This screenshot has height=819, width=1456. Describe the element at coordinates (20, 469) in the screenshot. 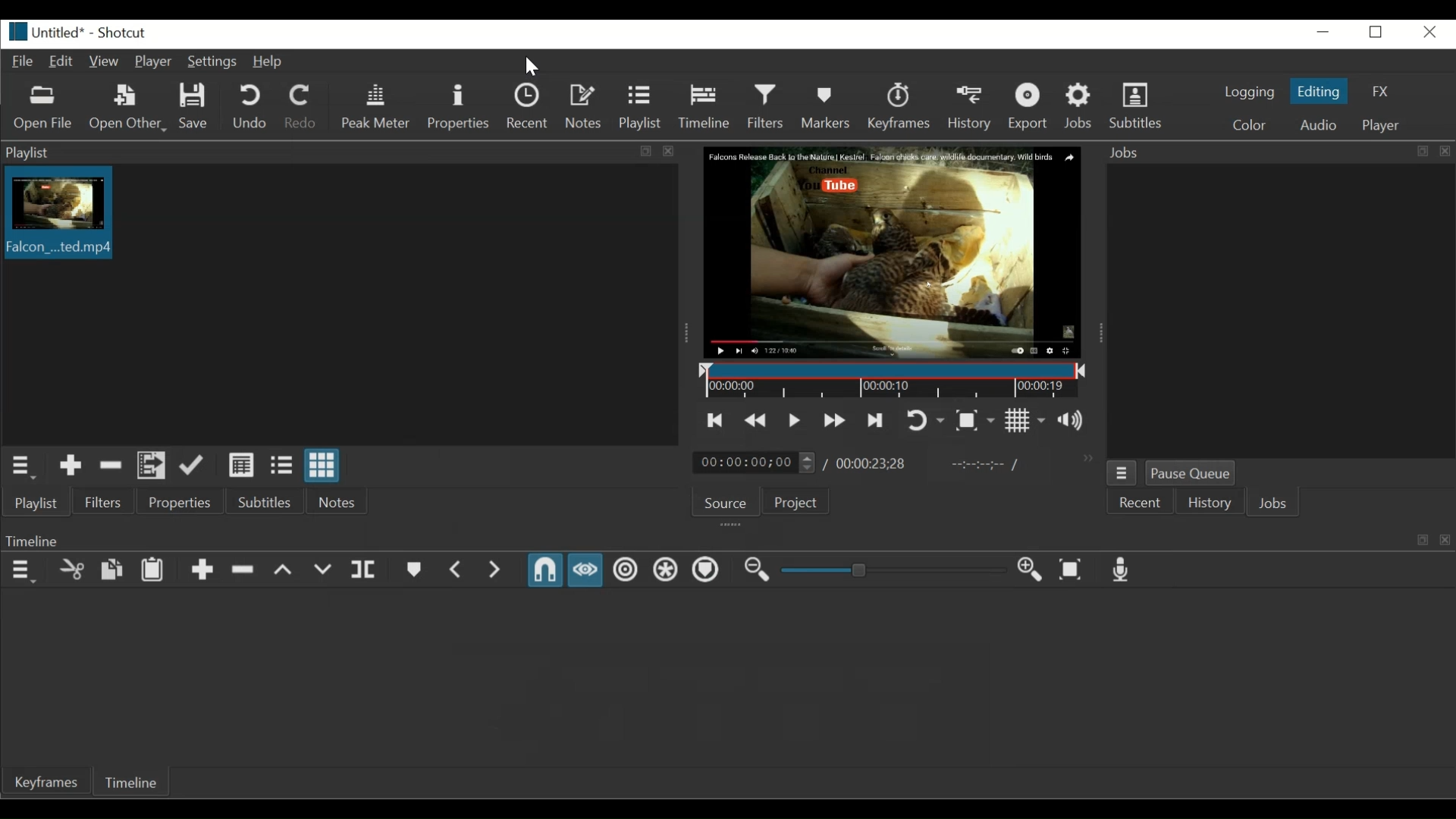

I see `Playlist Menu` at that location.